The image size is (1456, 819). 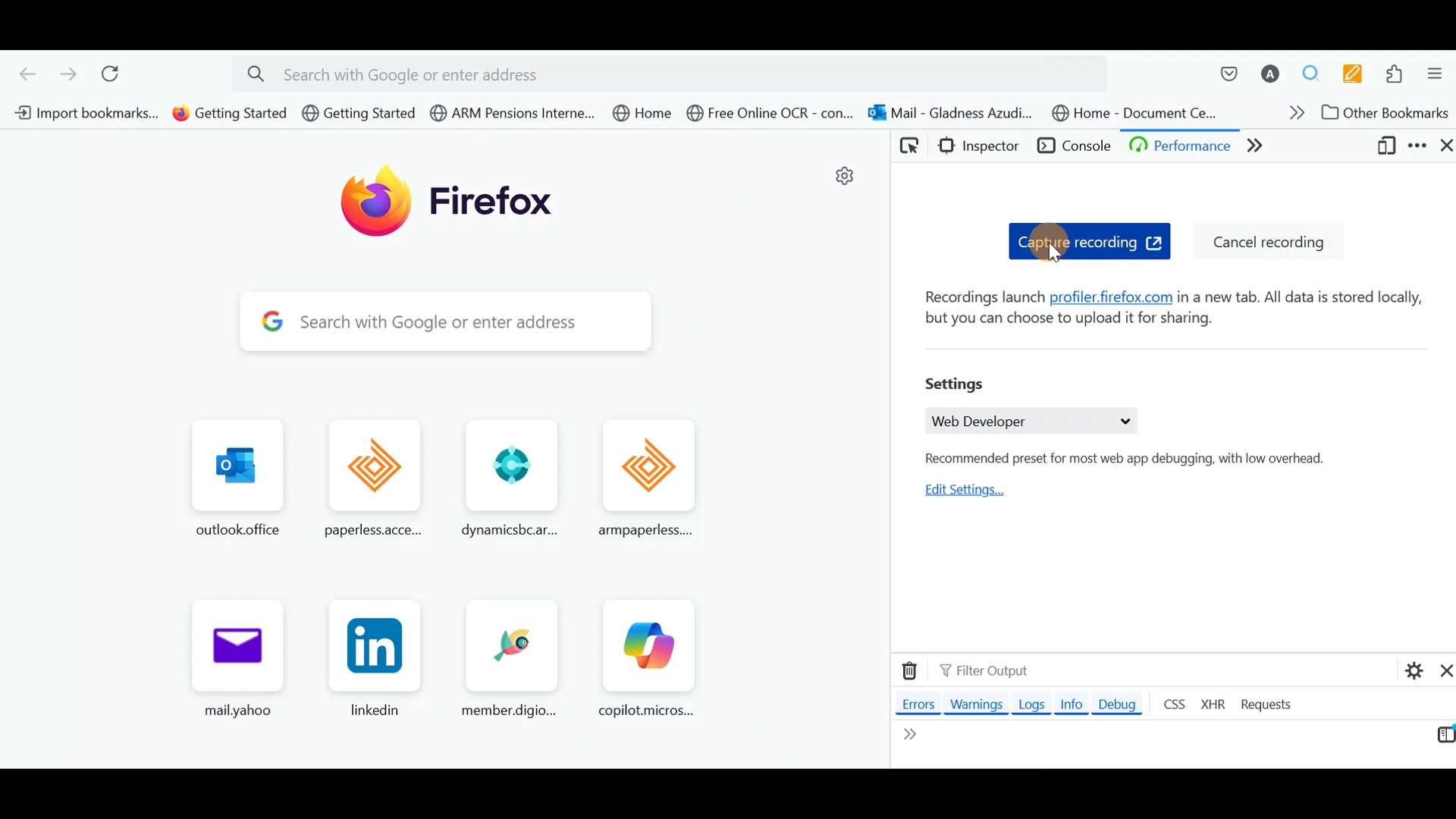 What do you see at coordinates (1271, 75) in the screenshot?
I see `Account` at bounding box center [1271, 75].